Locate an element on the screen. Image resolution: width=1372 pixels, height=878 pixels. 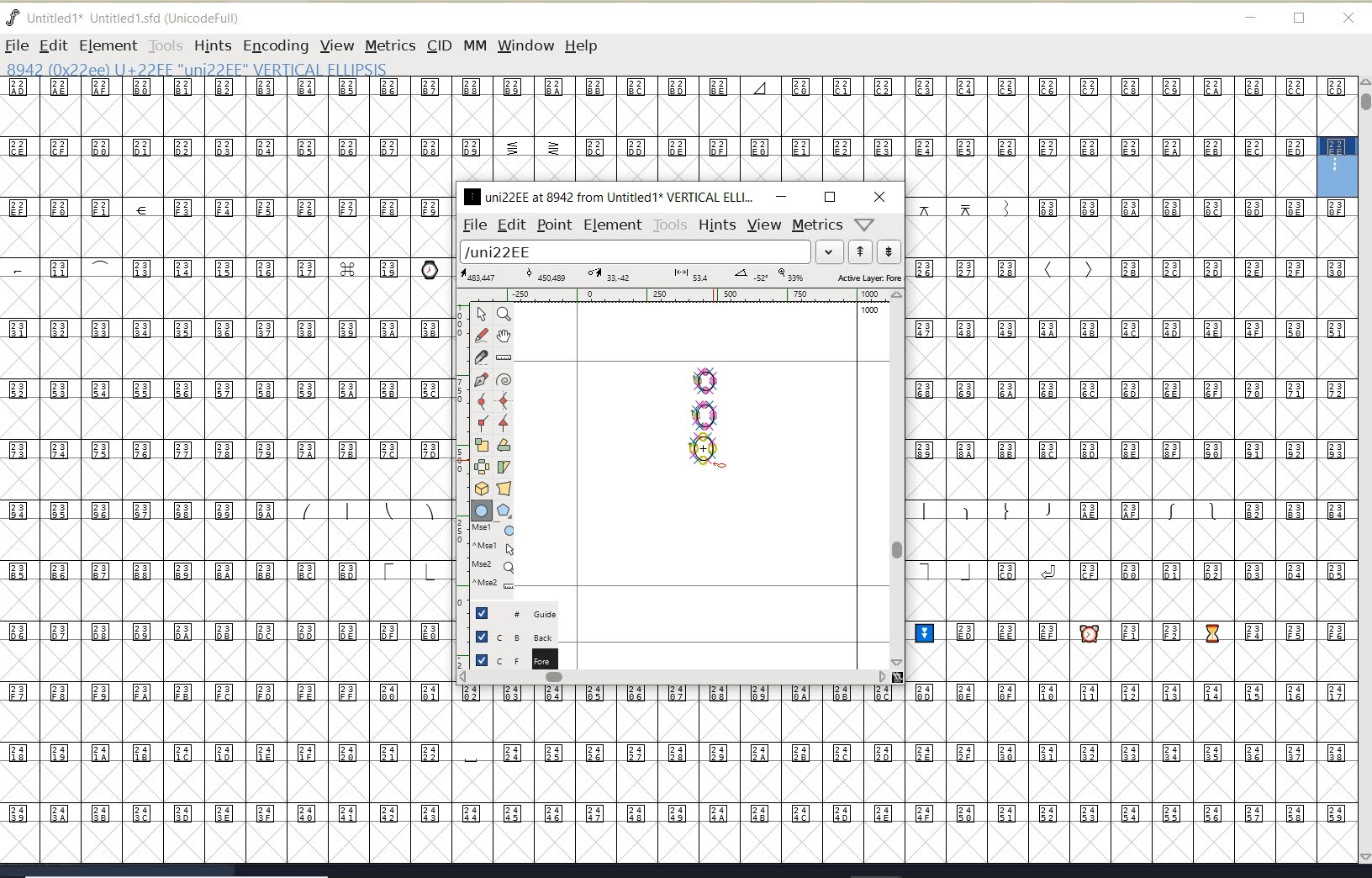
hints is located at coordinates (716, 225).